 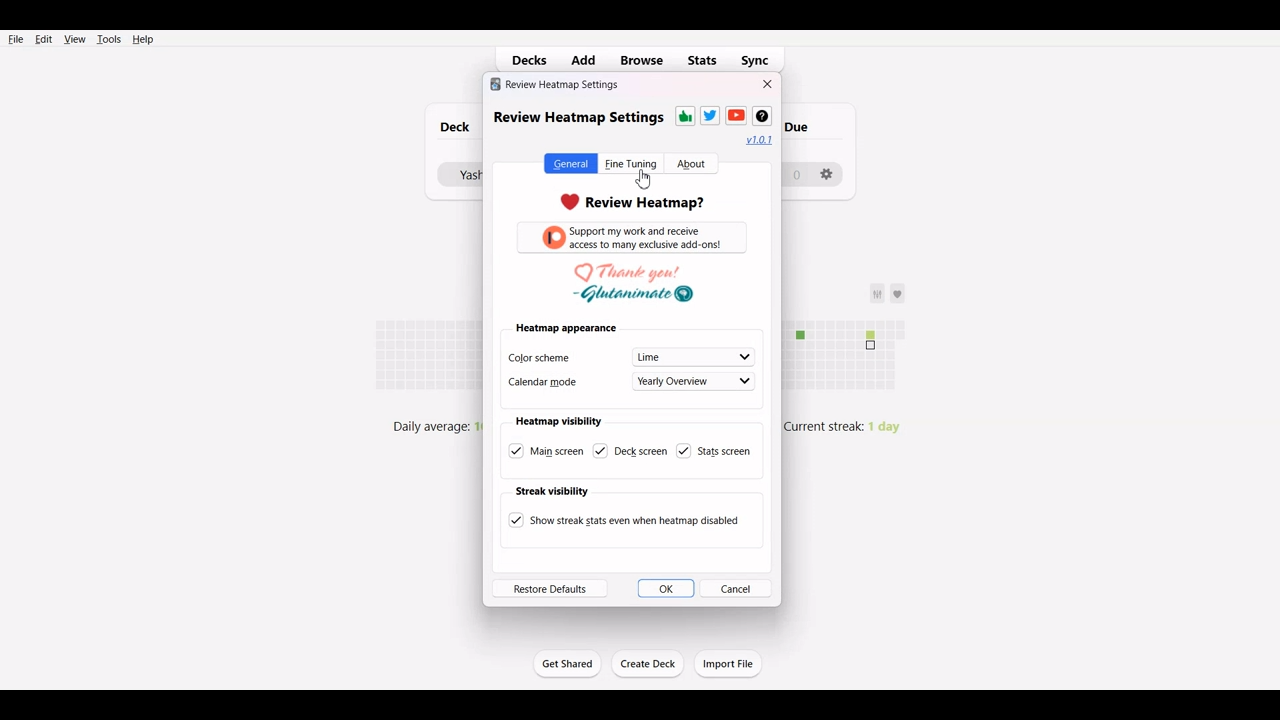 What do you see at coordinates (425, 425) in the screenshot?
I see `daily average` at bounding box center [425, 425].